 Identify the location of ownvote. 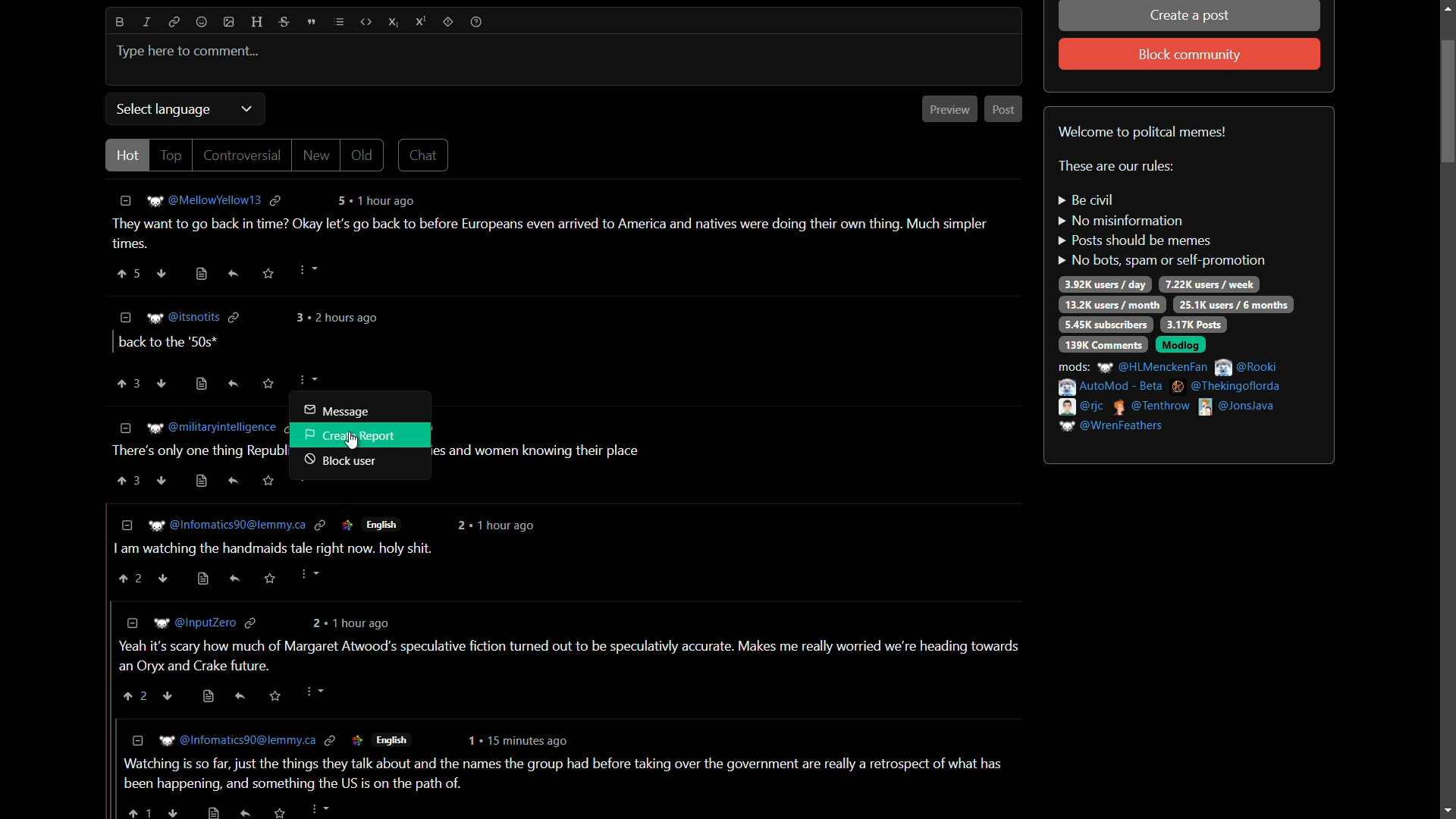
(162, 383).